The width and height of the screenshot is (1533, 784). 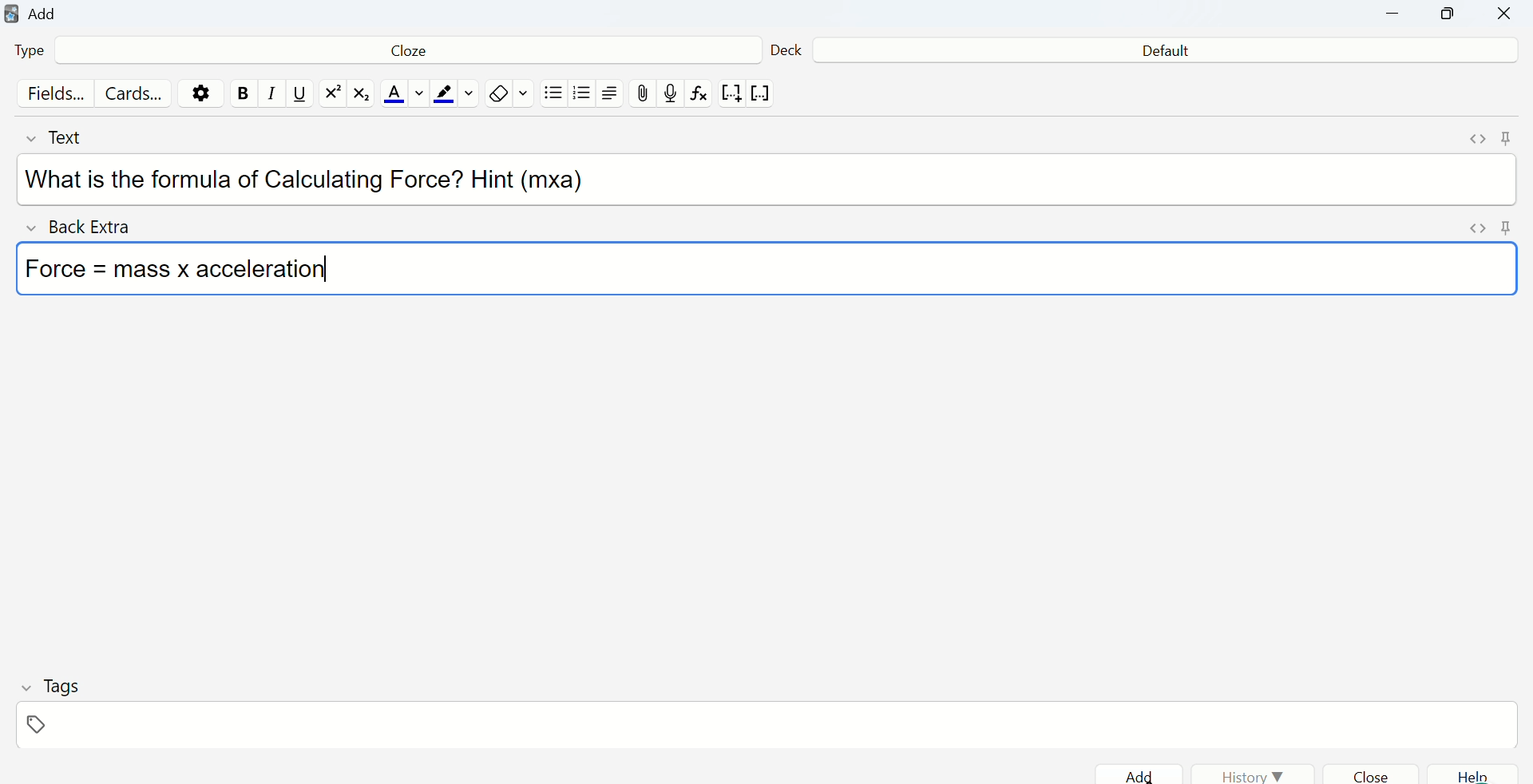 What do you see at coordinates (1480, 775) in the screenshot?
I see `help` at bounding box center [1480, 775].